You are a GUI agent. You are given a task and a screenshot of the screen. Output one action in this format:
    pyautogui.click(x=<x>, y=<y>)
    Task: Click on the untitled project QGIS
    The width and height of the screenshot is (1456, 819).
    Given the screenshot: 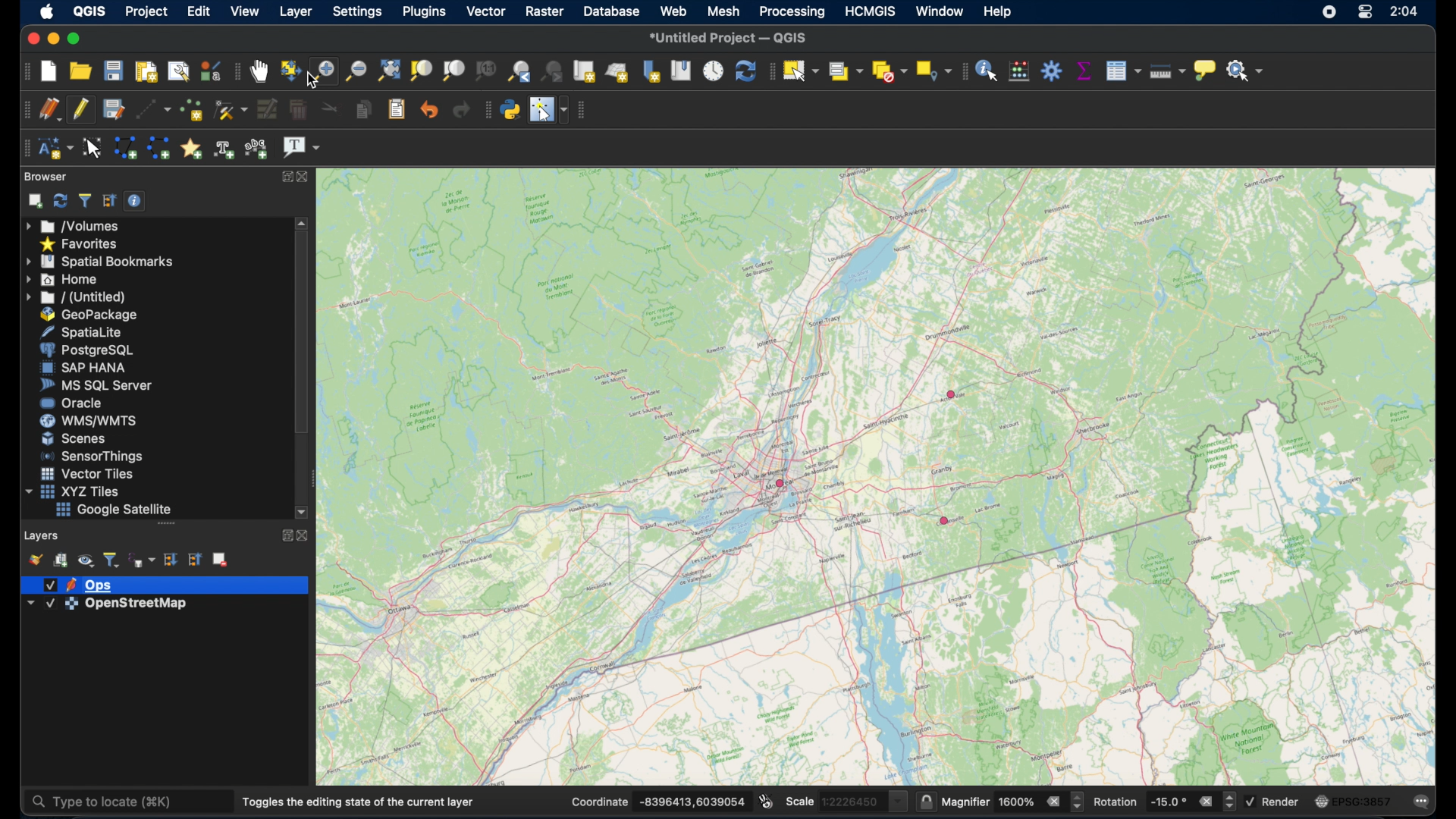 What is the action you would take?
    pyautogui.click(x=733, y=37)
    